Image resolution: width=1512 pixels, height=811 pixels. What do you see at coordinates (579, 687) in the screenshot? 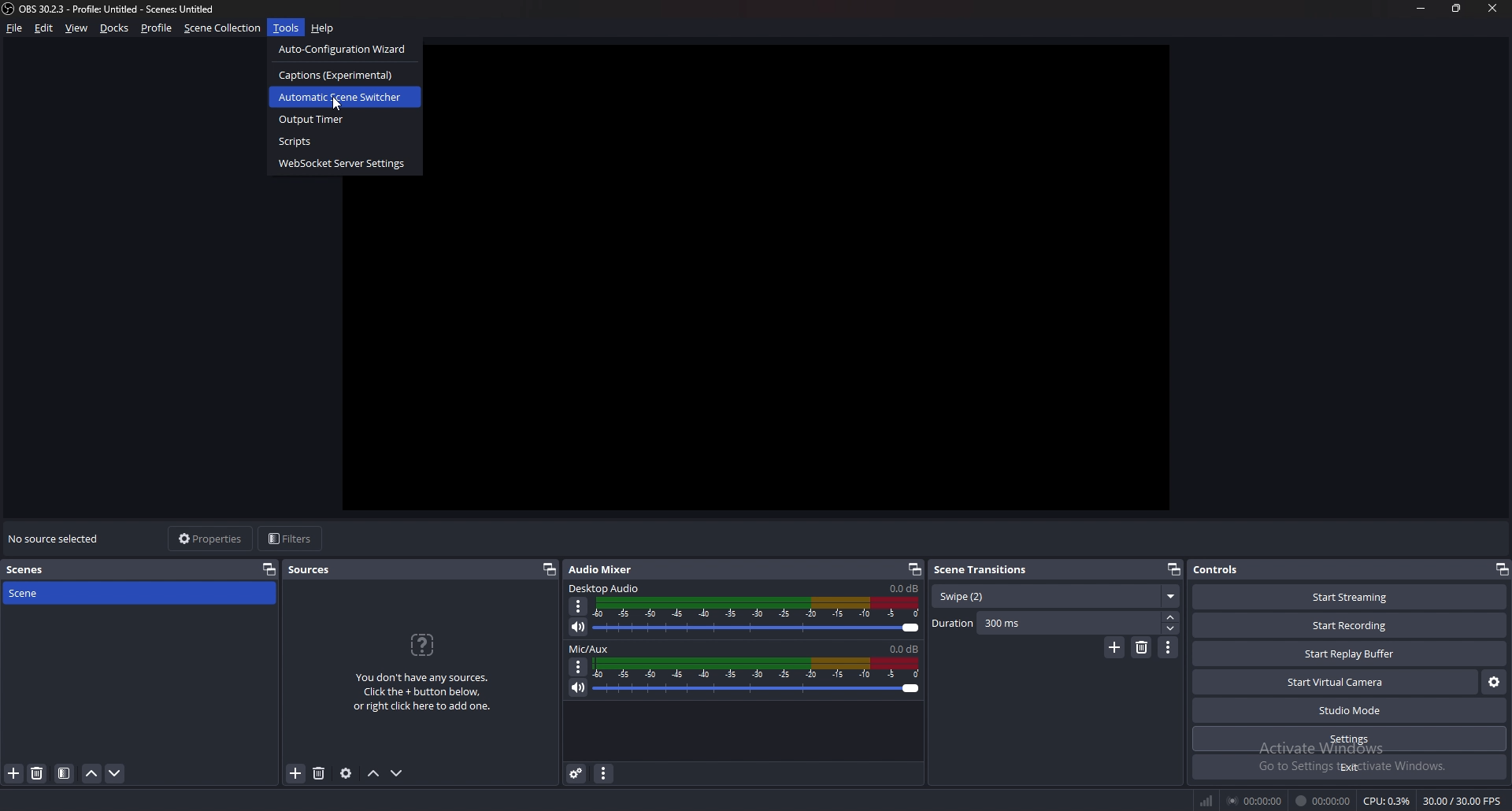
I see `mute` at bounding box center [579, 687].